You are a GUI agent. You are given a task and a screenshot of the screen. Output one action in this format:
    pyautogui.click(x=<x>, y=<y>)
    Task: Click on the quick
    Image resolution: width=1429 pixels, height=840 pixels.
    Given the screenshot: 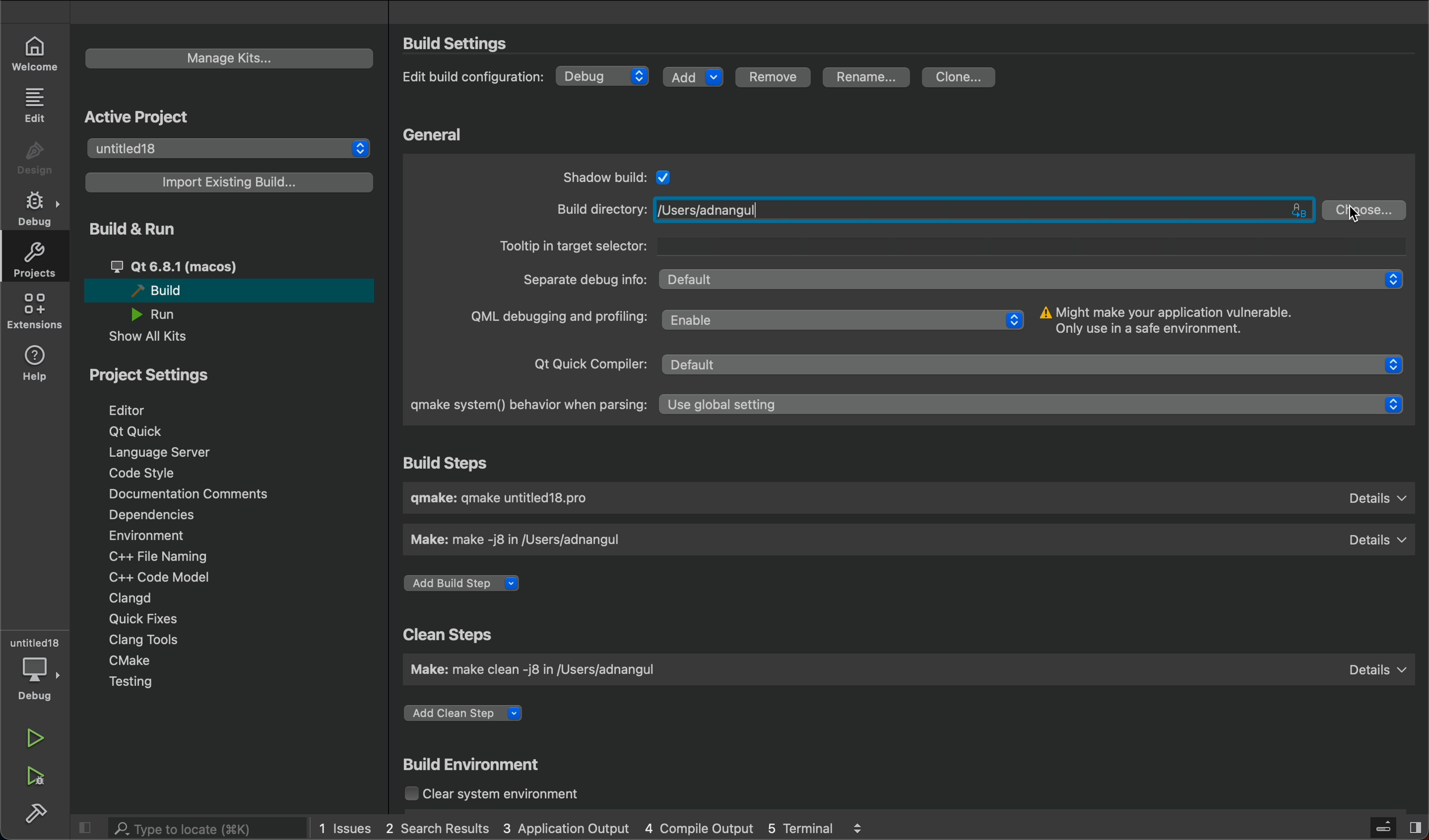 What is the action you would take?
    pyautogui.click(x=137, y=620)
    